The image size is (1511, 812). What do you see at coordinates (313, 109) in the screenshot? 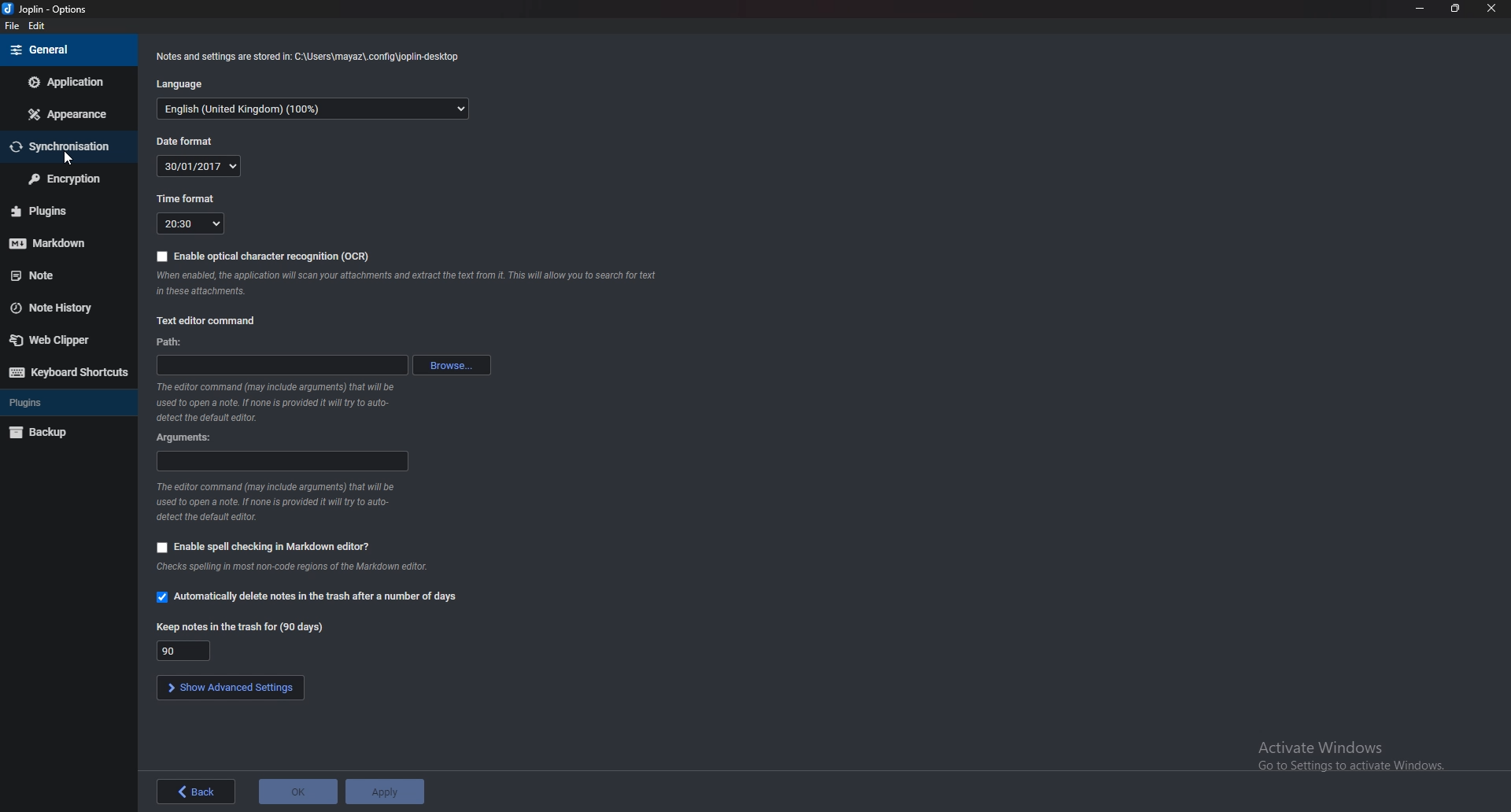
I see `language` at bounding box center [313, 109].